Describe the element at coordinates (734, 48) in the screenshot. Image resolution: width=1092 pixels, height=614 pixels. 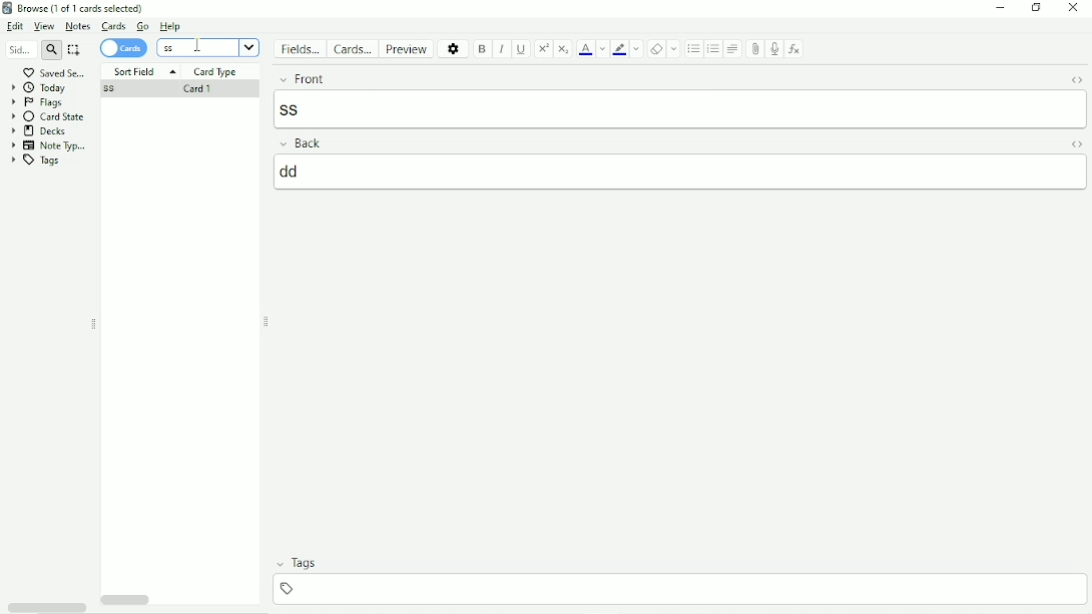
I see `Alignment` at that location.